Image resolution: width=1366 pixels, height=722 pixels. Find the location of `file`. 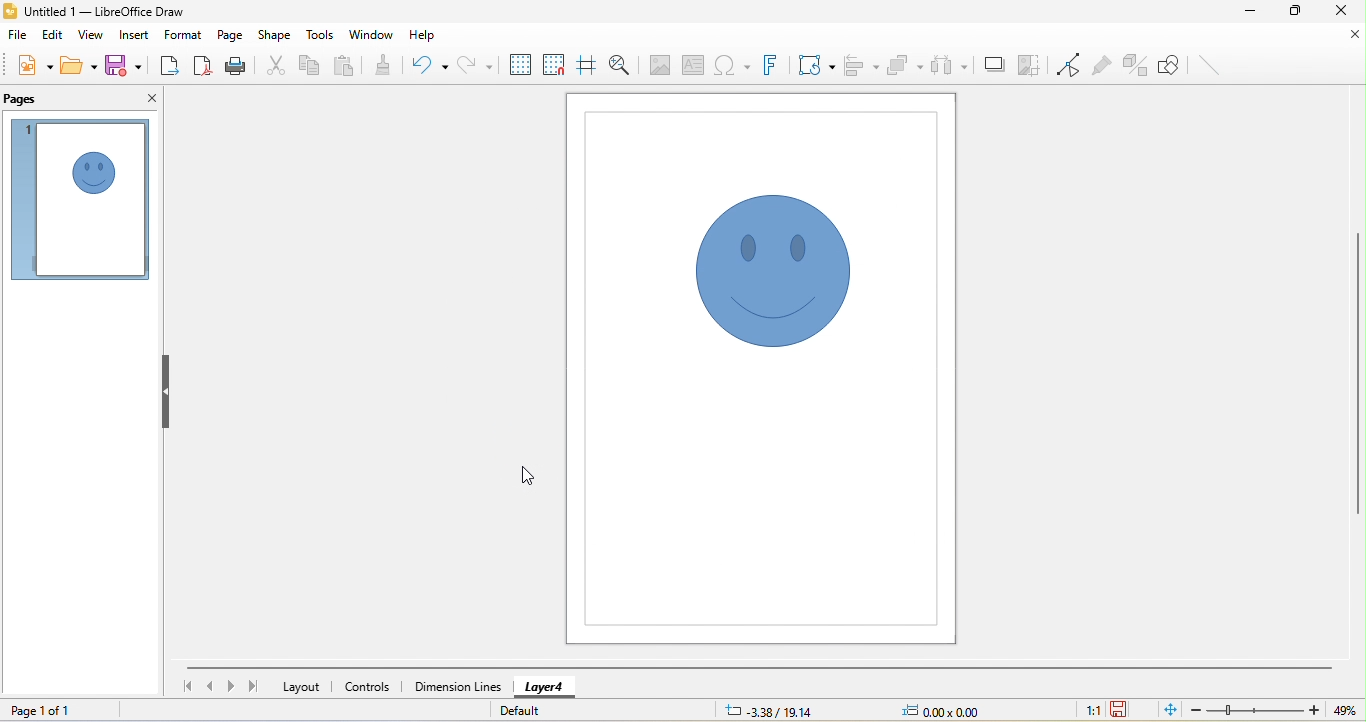

file is located at coordinates (18, 38).